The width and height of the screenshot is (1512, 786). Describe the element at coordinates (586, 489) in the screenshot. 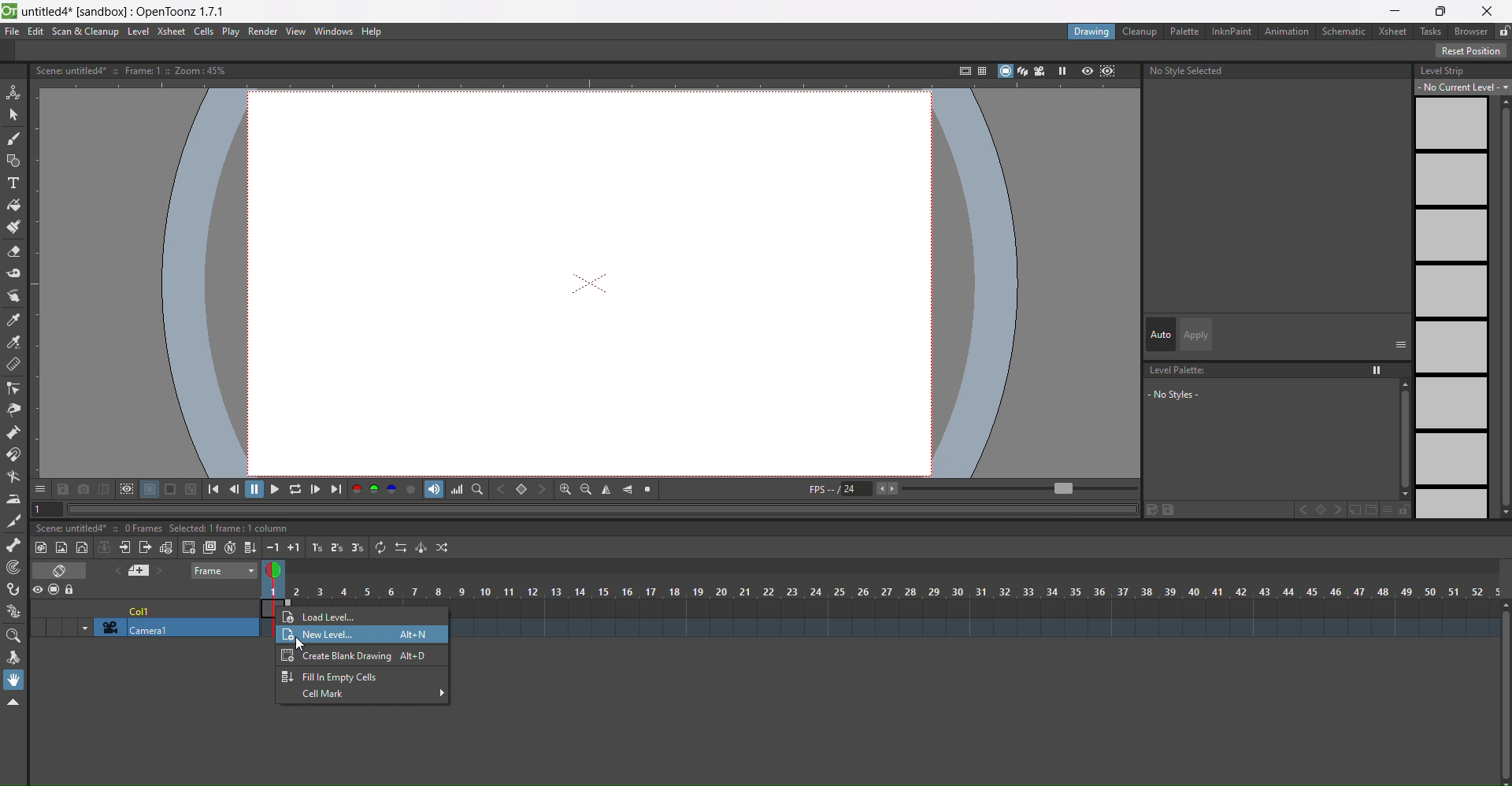

I see `zoom out` at that location.